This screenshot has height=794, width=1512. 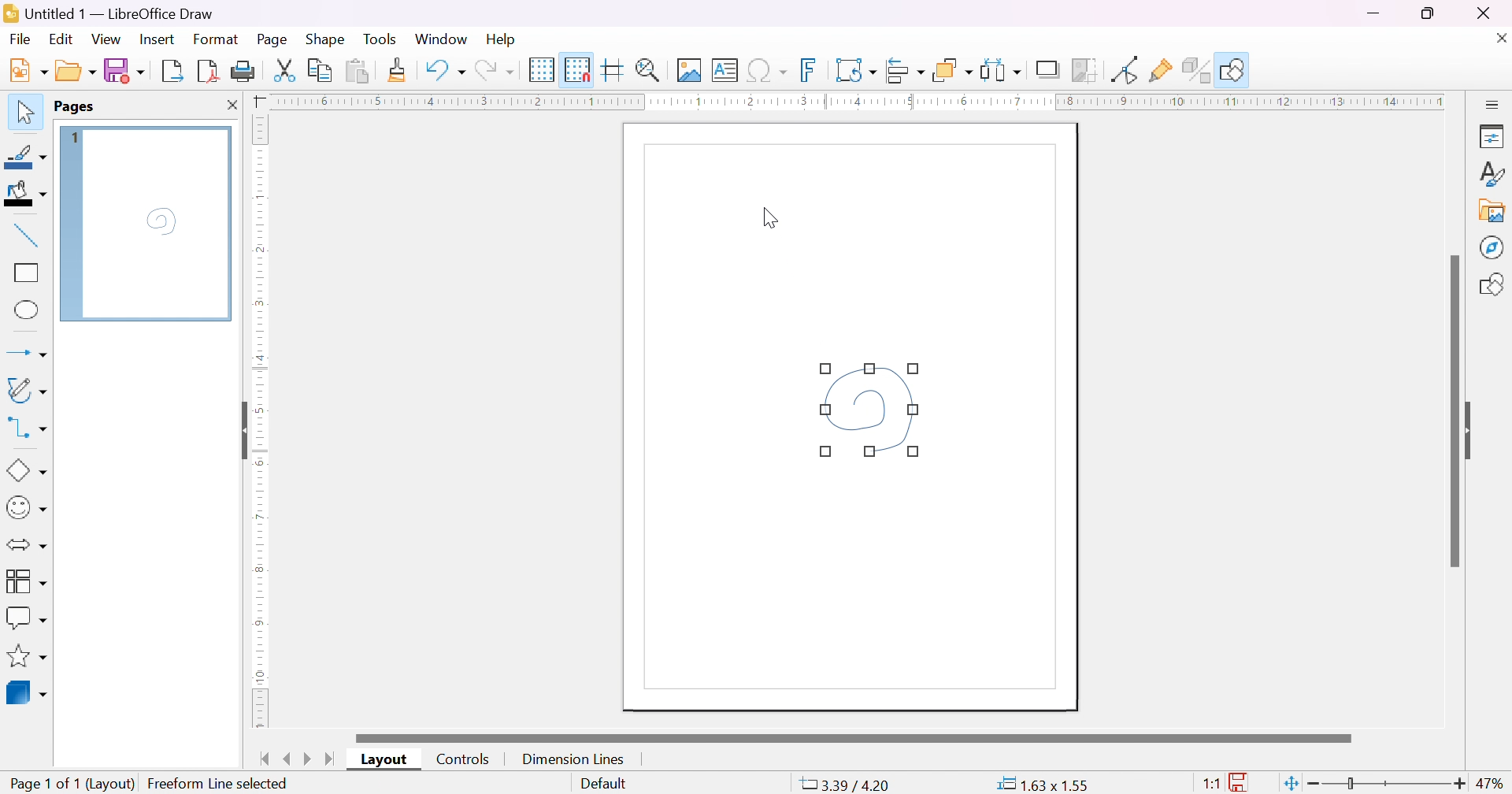 I want to click on lines and arrows, so click(x=29, y=354).